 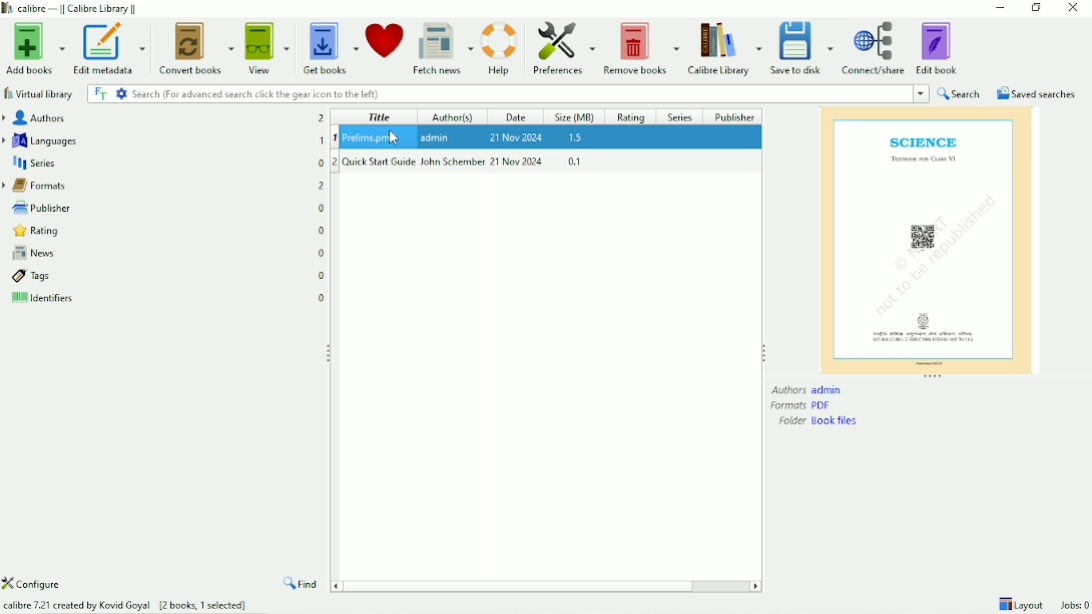 I want to click on Author(s), so click(x=459, y=117).